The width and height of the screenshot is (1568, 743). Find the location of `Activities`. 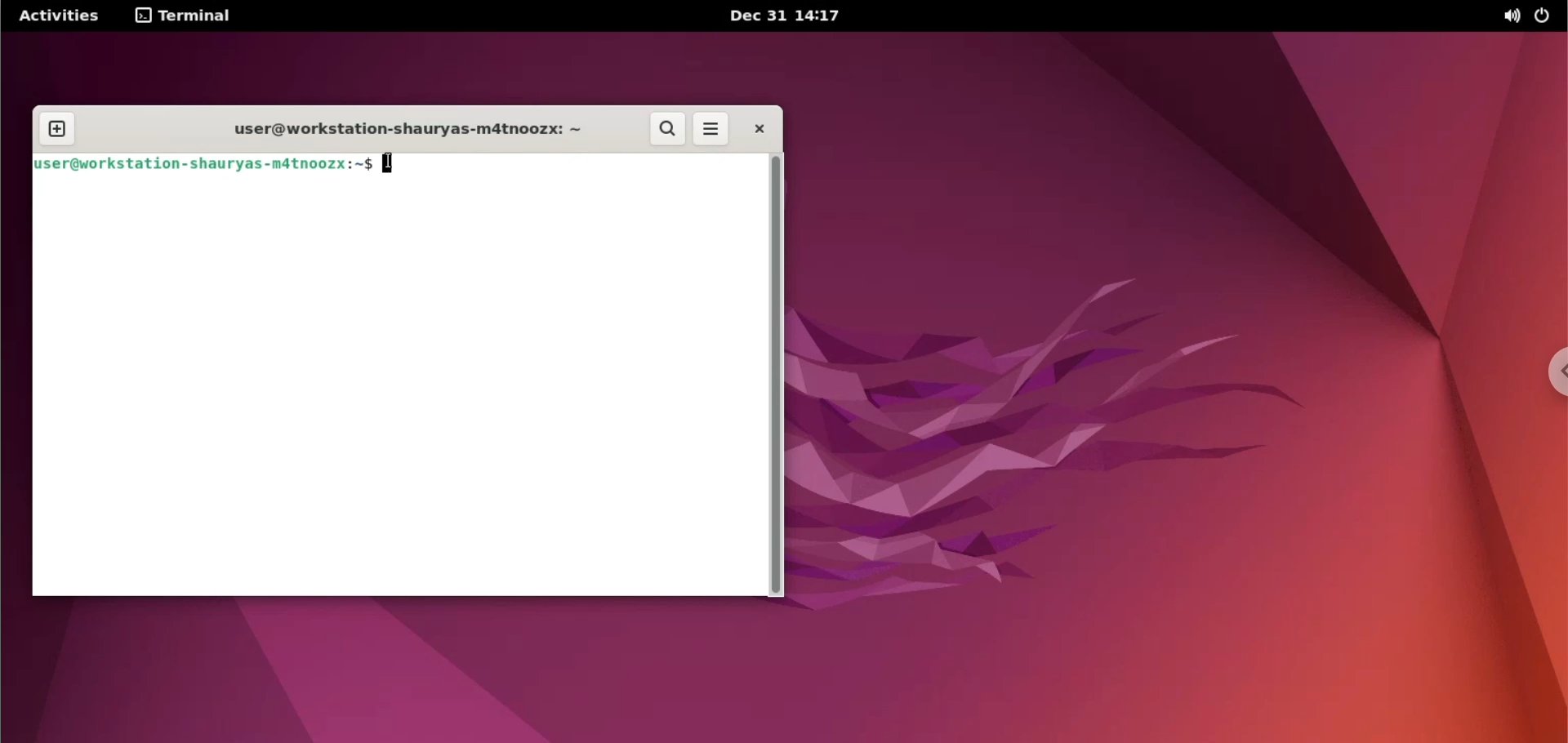

Activities is located at coordinates (60, 16).